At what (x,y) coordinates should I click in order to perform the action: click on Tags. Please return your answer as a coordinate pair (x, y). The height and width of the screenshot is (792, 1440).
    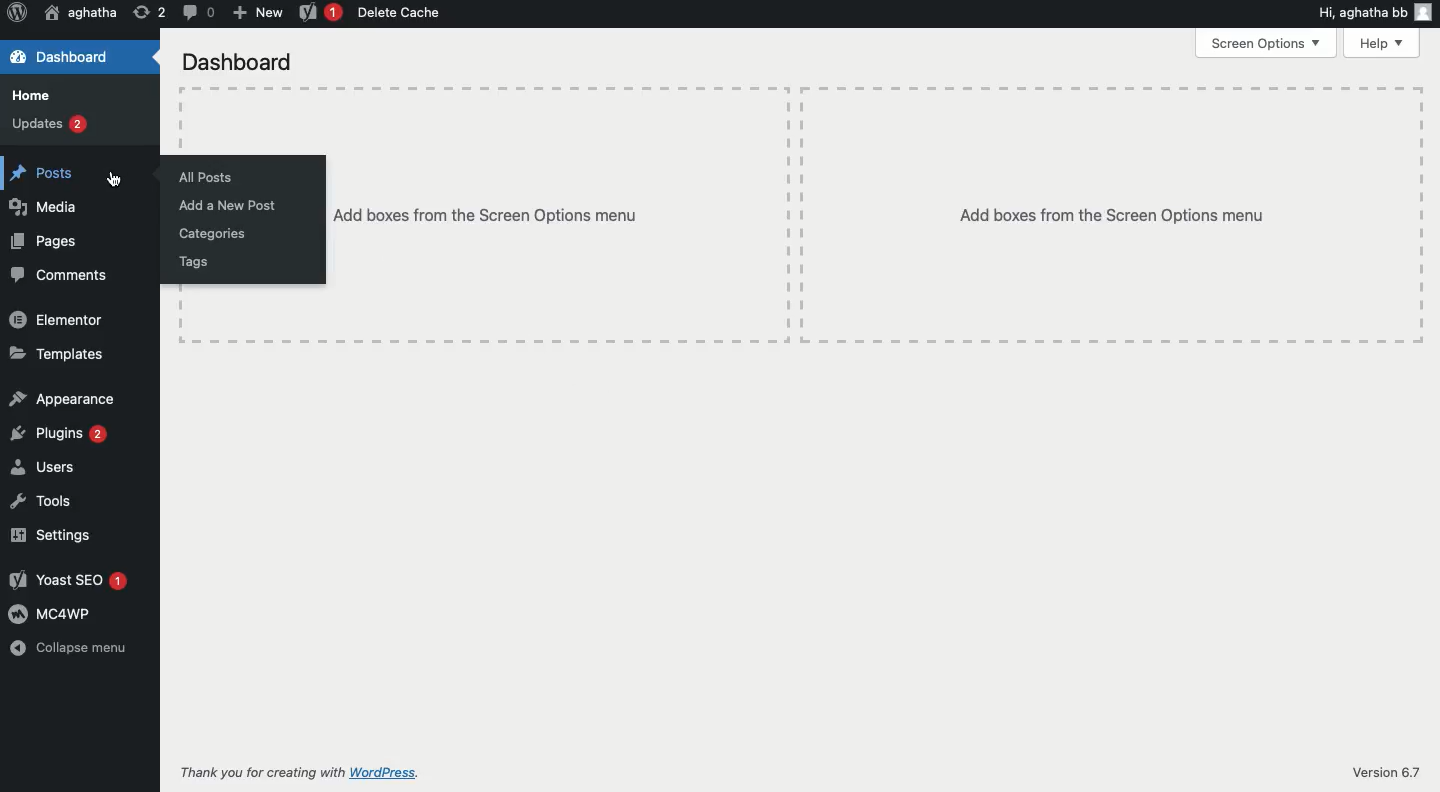
    Looking at the image, I should click on (194, 263).